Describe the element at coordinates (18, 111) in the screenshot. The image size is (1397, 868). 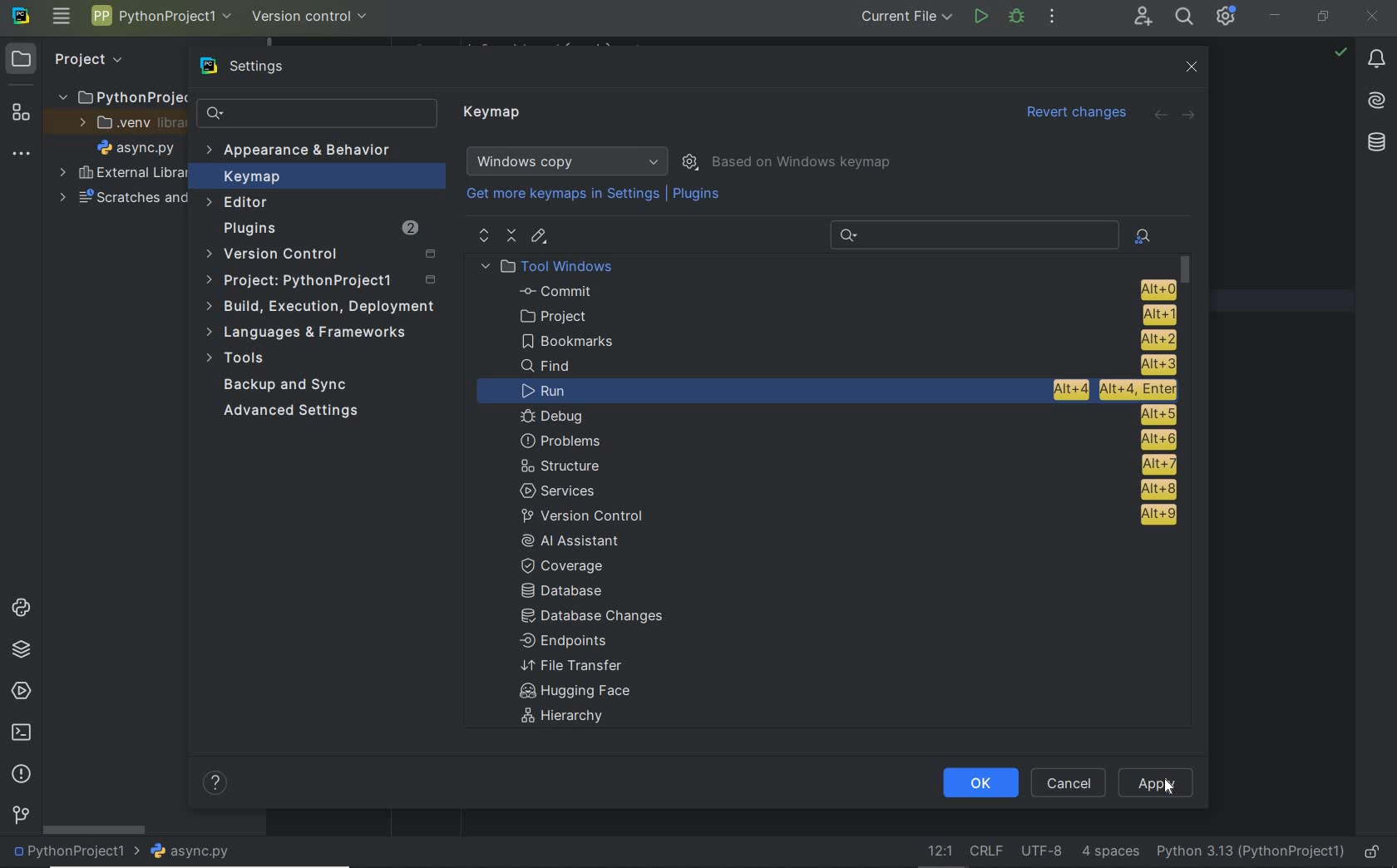
I see `structure` at that location.